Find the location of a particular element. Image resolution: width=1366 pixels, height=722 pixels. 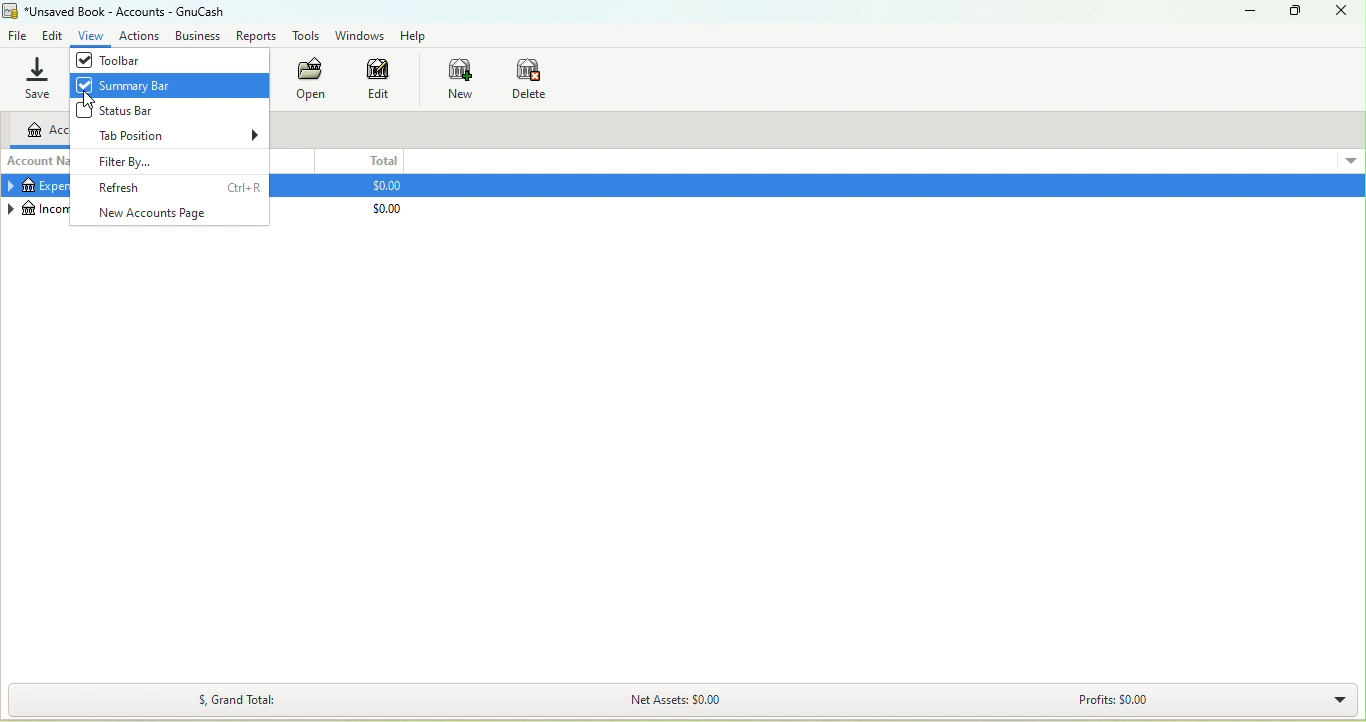

Open is located at coordinates (309, 80).